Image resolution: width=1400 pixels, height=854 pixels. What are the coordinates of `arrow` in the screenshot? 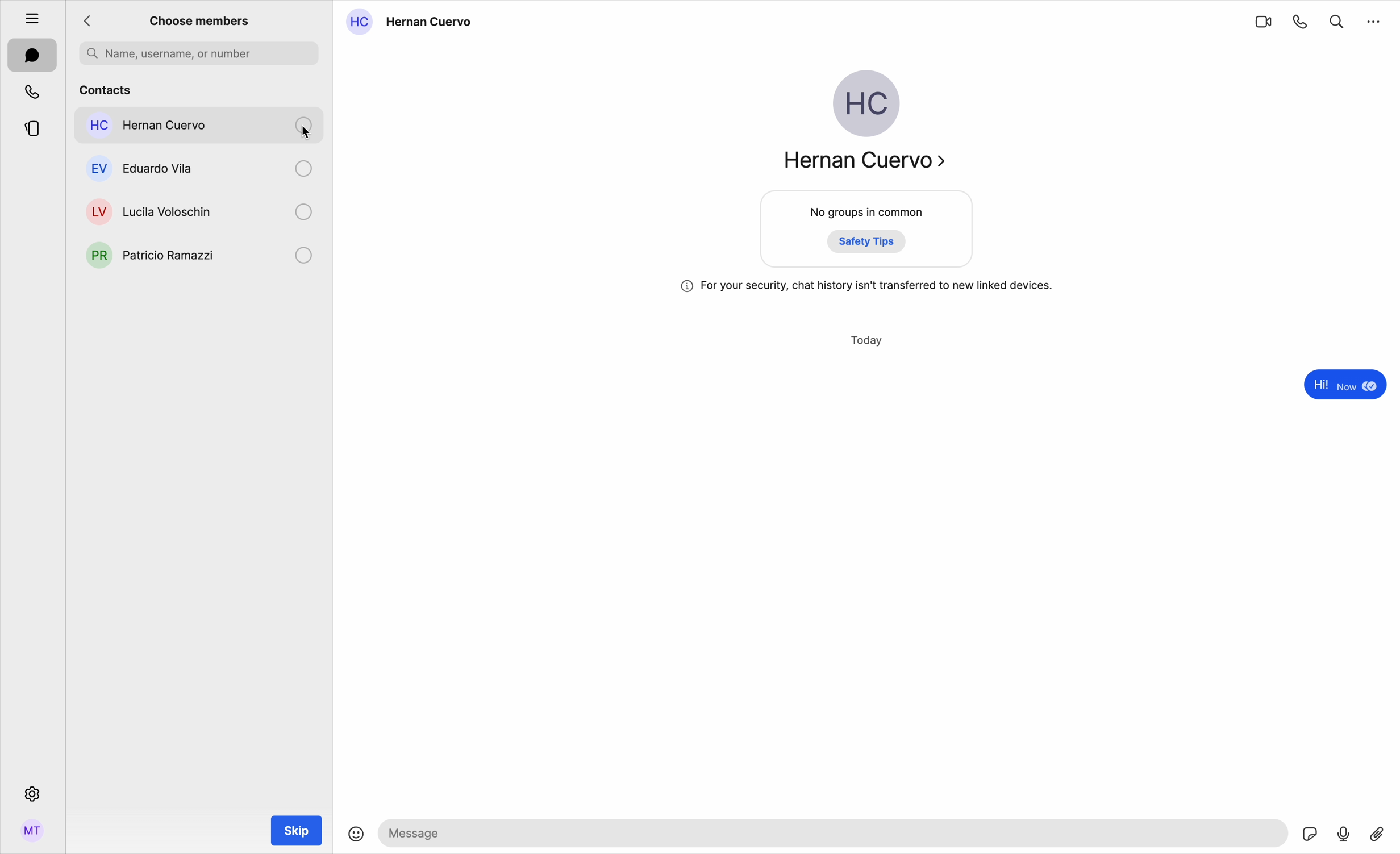 It's located at (91, 22).